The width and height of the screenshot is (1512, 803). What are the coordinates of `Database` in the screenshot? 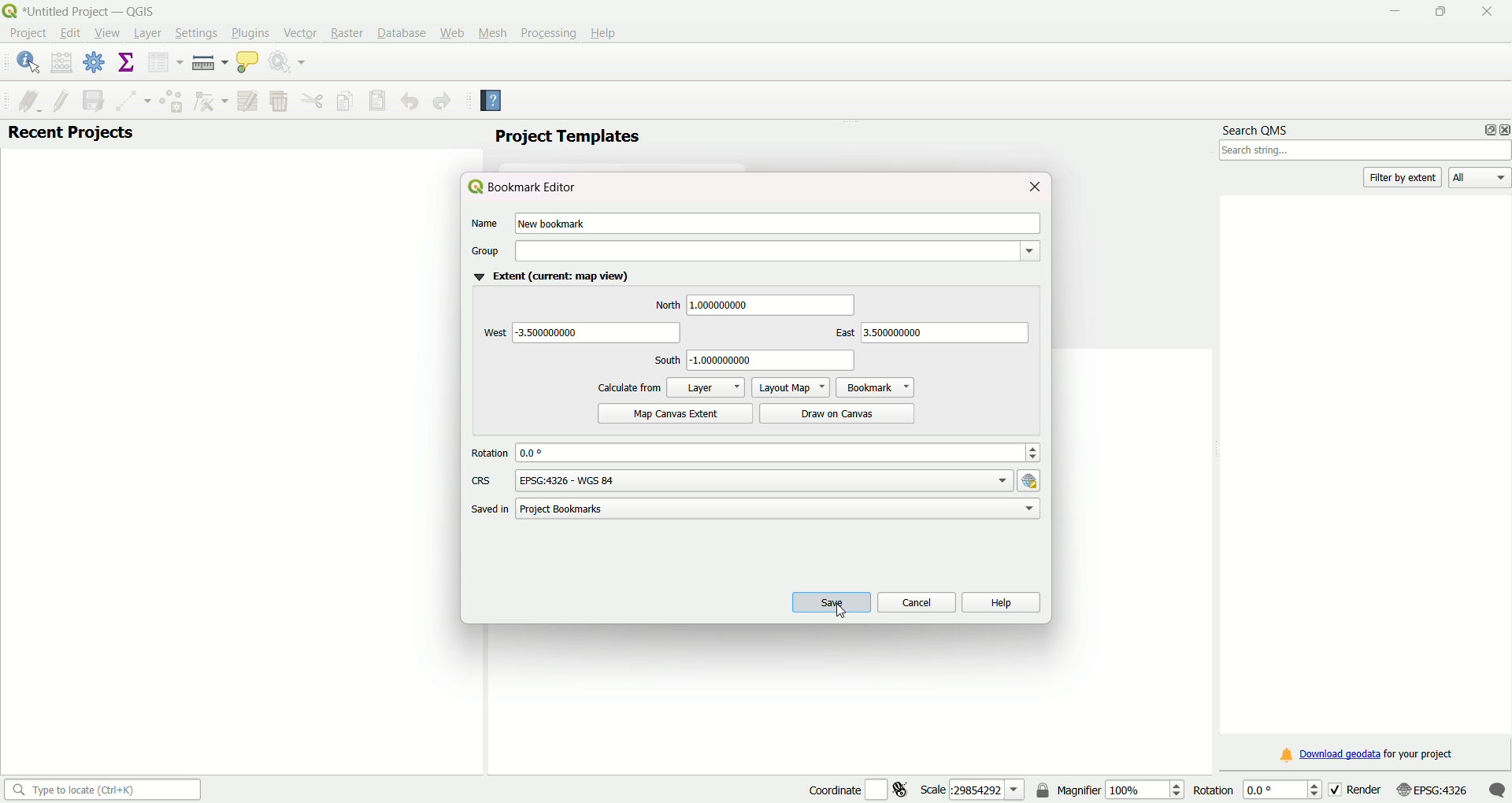 It's located at (401, 33).